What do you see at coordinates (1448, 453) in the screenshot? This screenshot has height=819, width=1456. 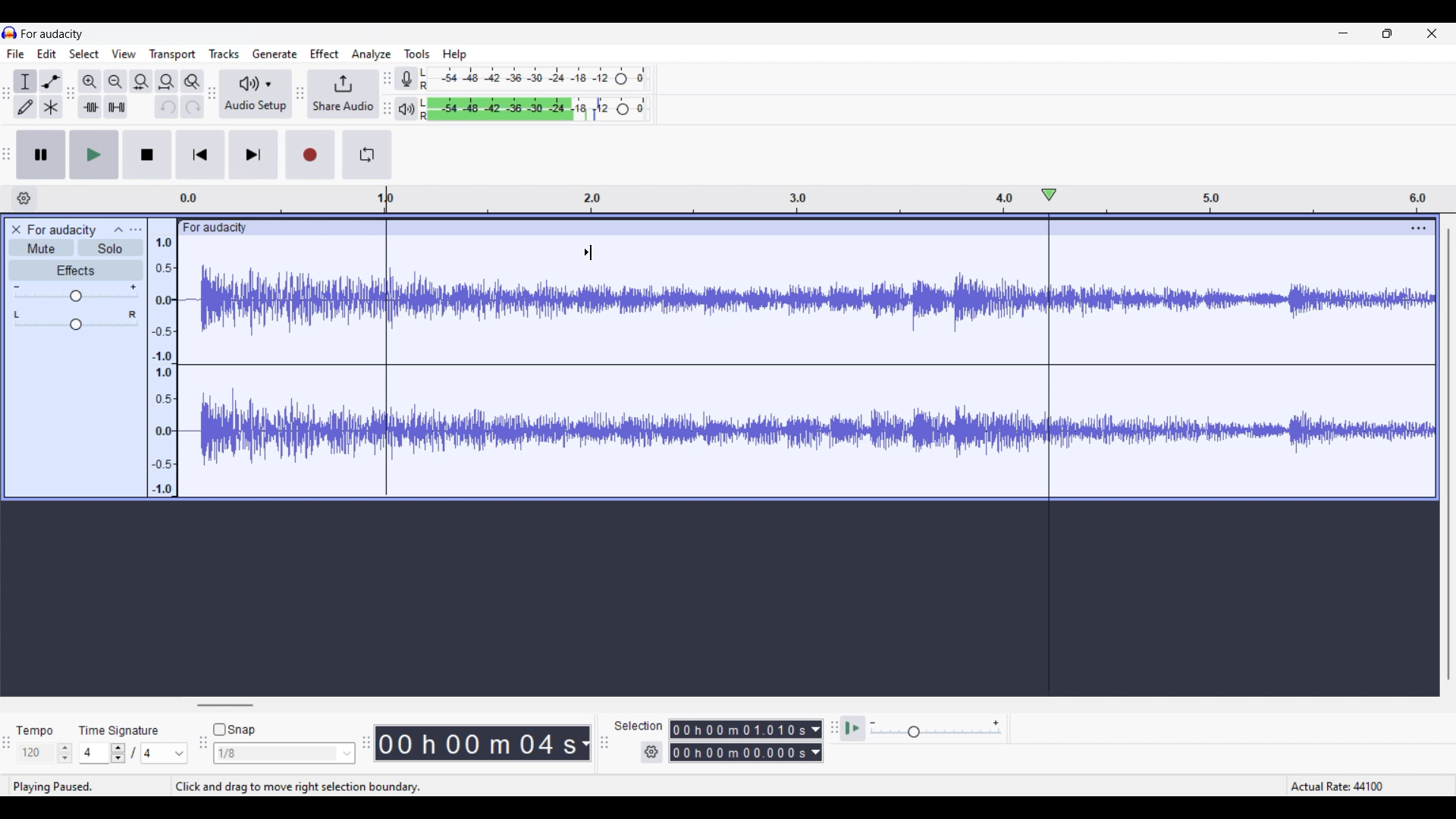 I see `Vertical slide bar` at bounding box center [1448, 453].